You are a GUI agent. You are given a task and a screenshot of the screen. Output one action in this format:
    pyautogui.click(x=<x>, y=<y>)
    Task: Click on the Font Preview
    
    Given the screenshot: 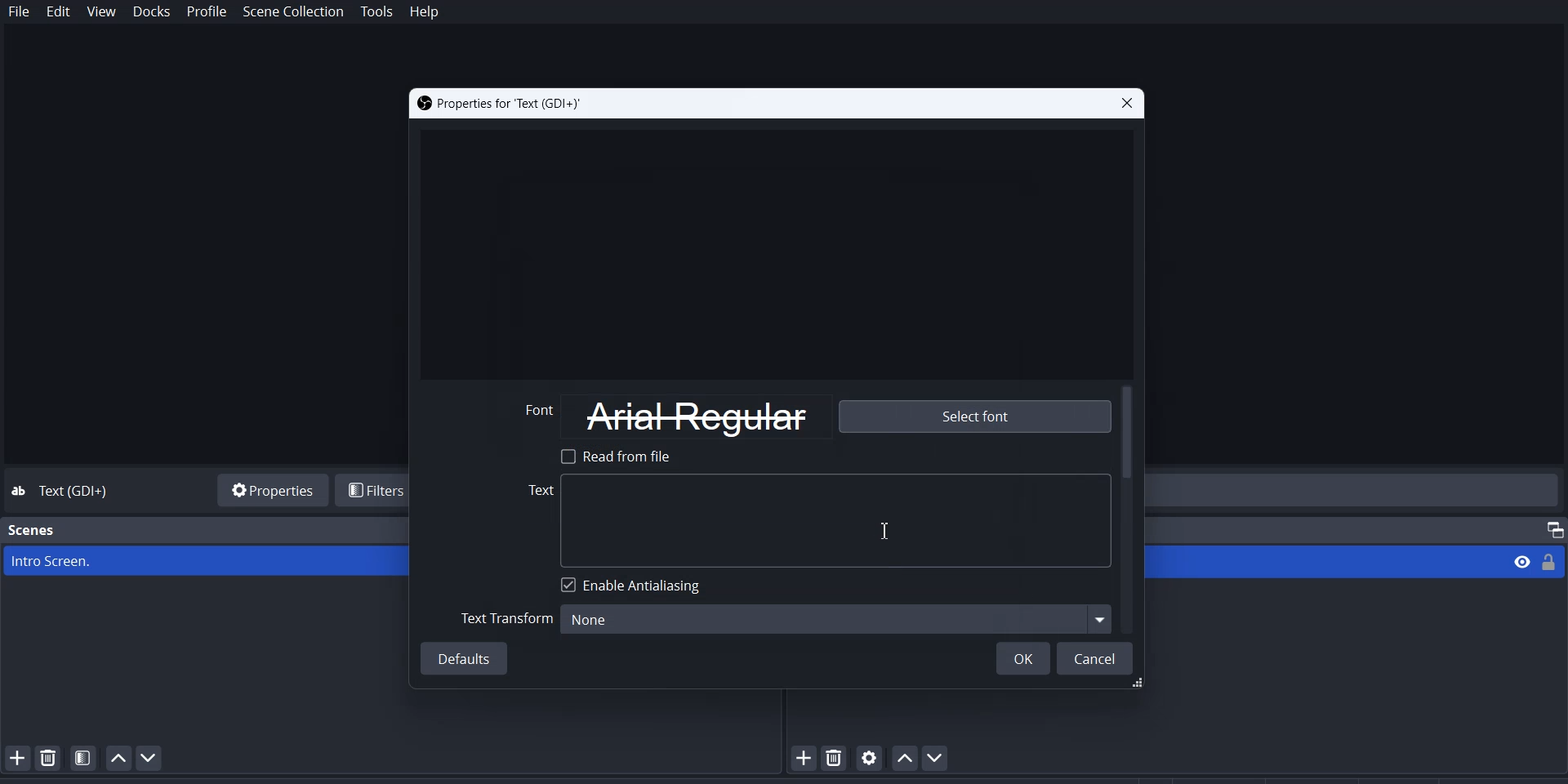 What is the action you would take?
    pyautogui.click(x=538, y=416)
    